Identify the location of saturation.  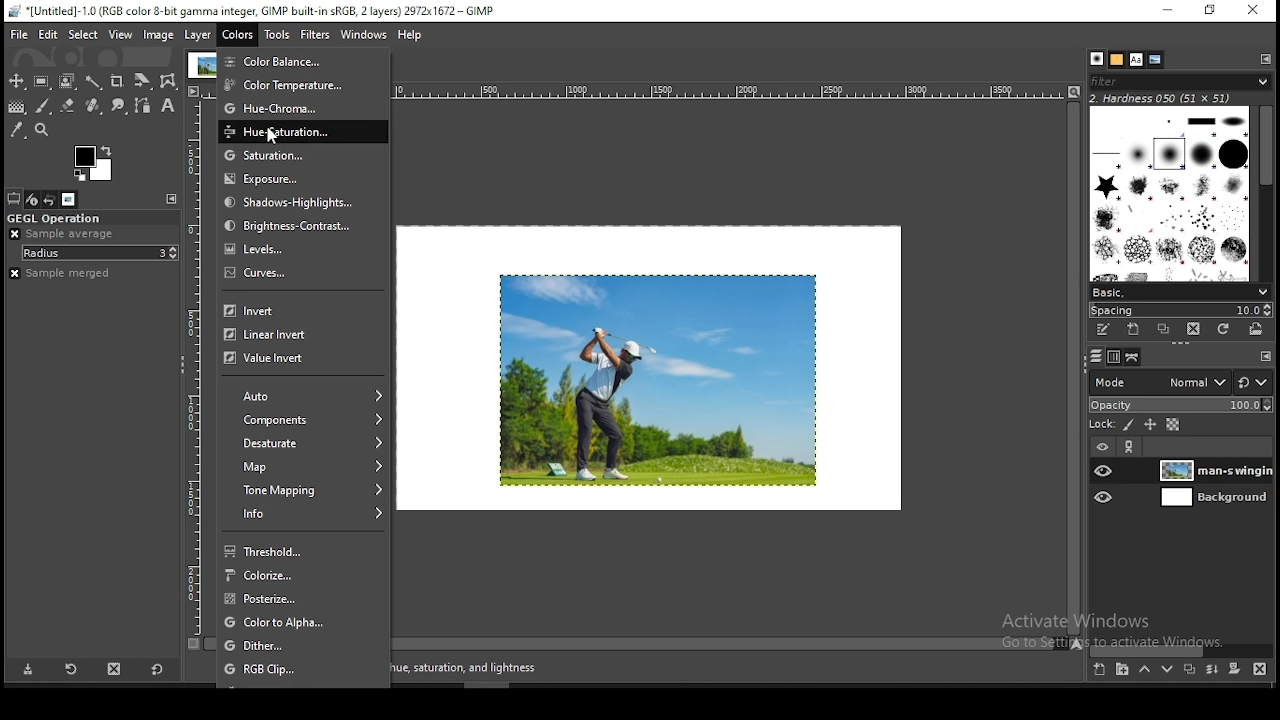
(304, 156).